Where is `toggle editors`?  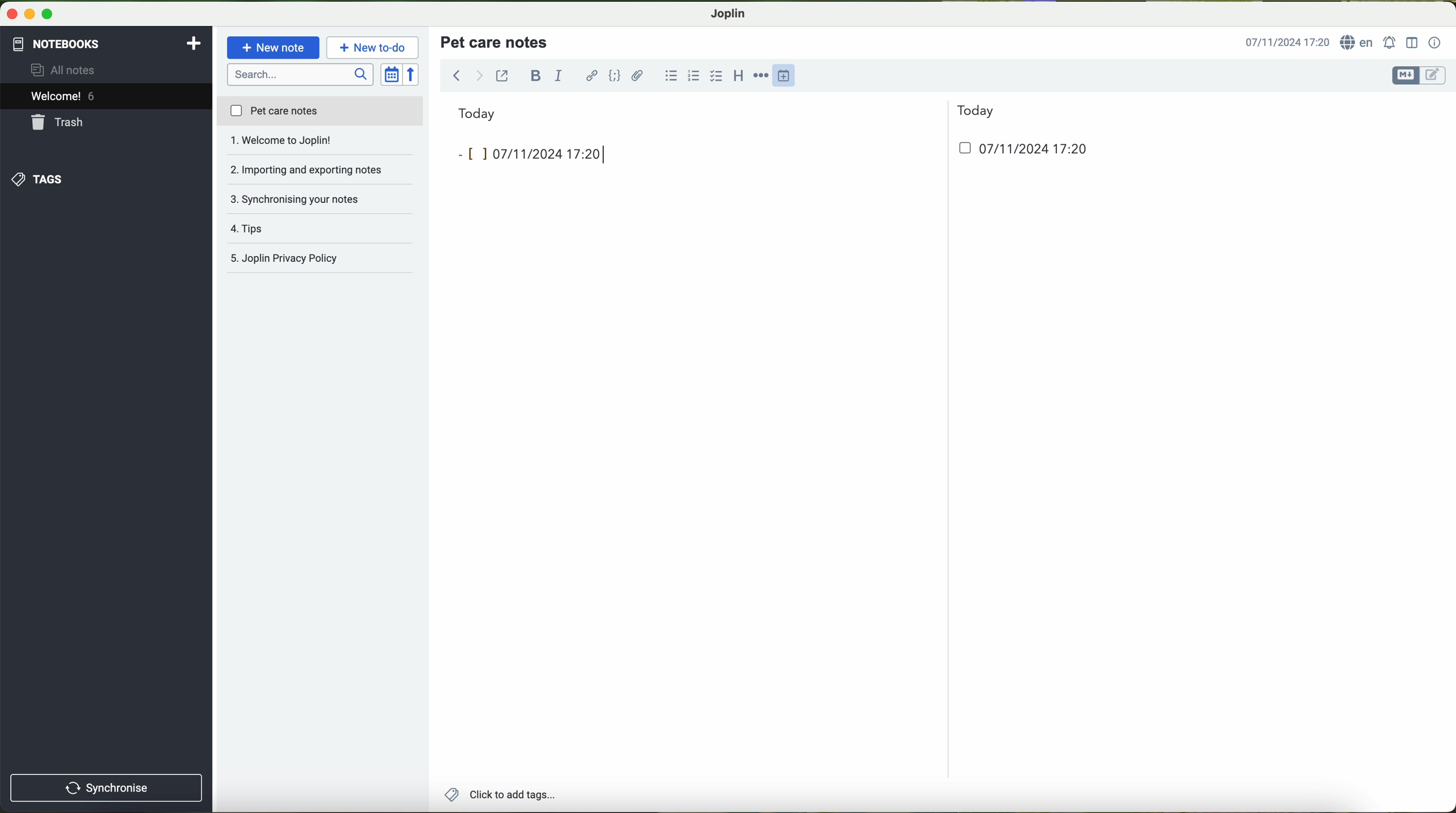 toggle editors is located at coordinates (1418, 76).